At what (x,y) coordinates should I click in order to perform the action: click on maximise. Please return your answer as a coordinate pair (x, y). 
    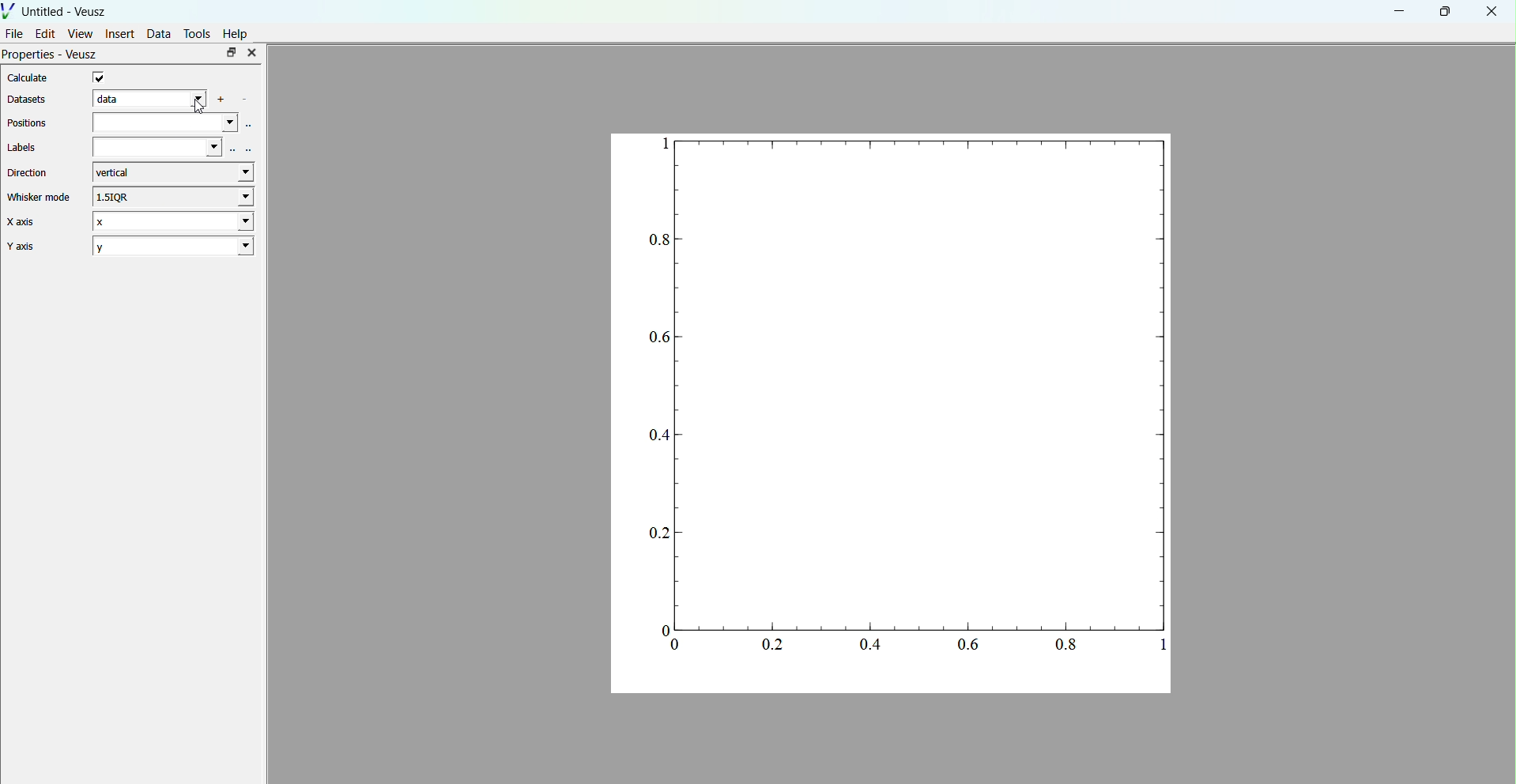
    Looking at the image, I should click on (231, 52).